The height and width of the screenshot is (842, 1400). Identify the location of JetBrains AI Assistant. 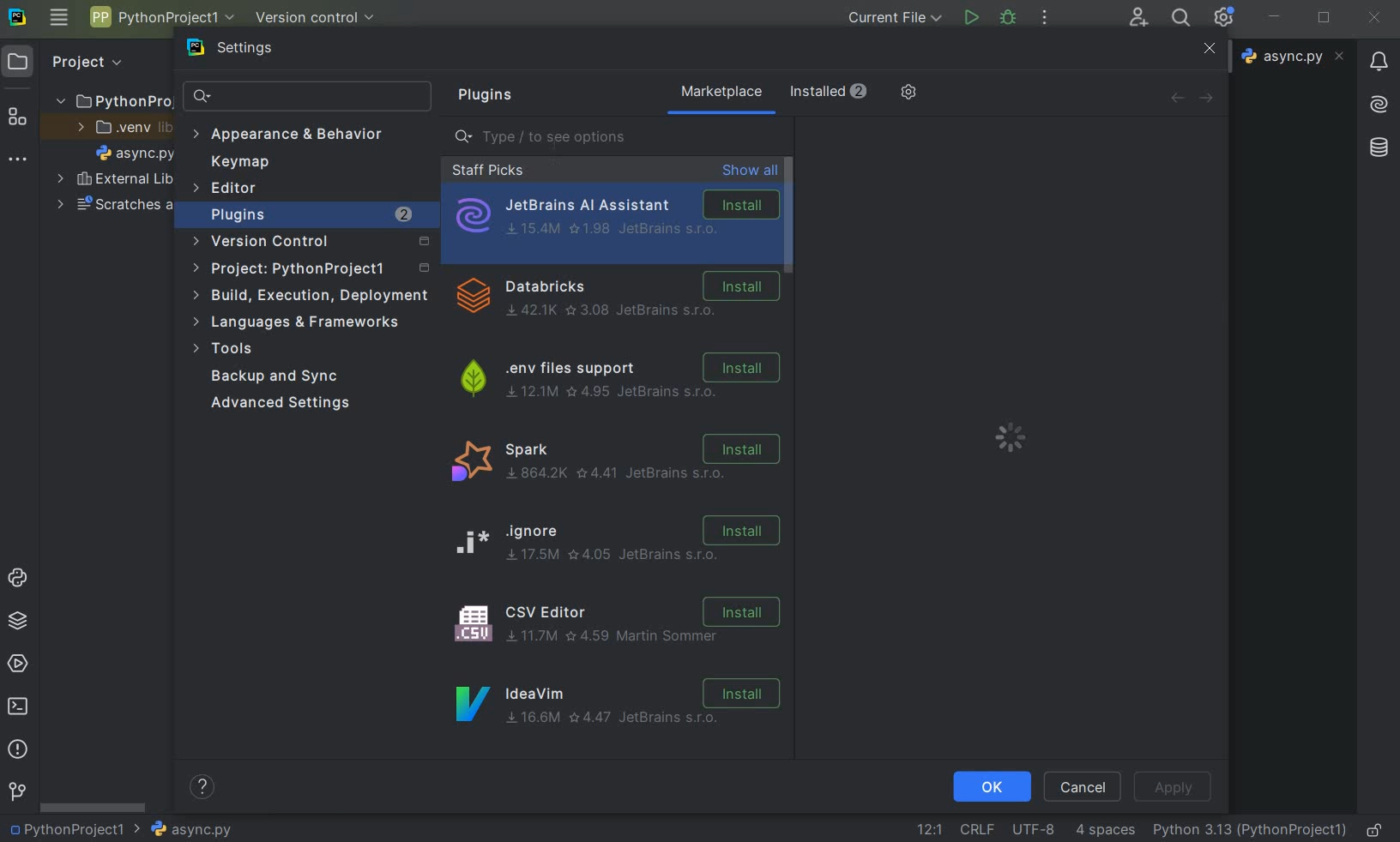
(611, 211).